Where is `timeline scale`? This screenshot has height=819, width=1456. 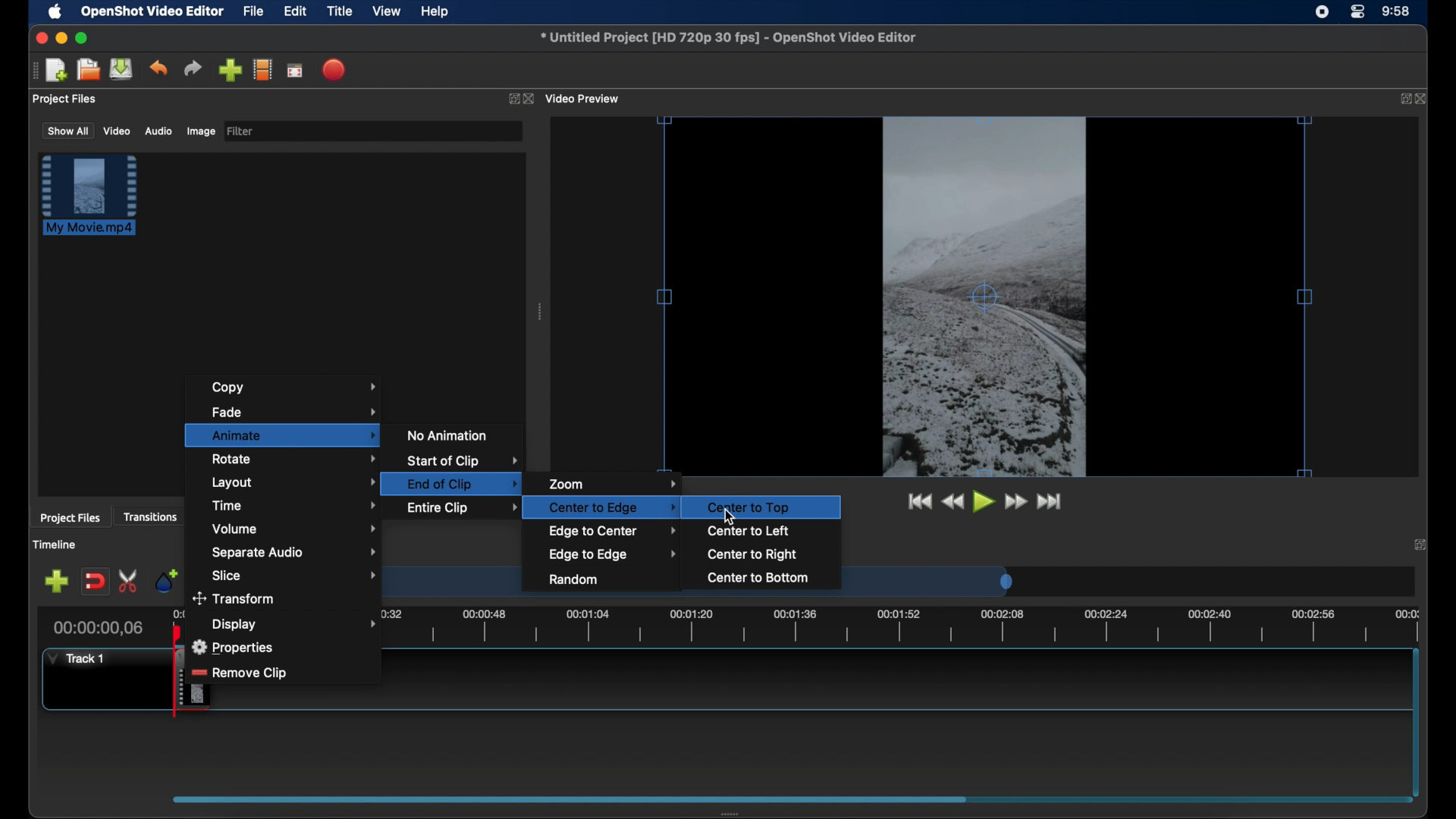
timeline scale is located at coordinates (898, 626).